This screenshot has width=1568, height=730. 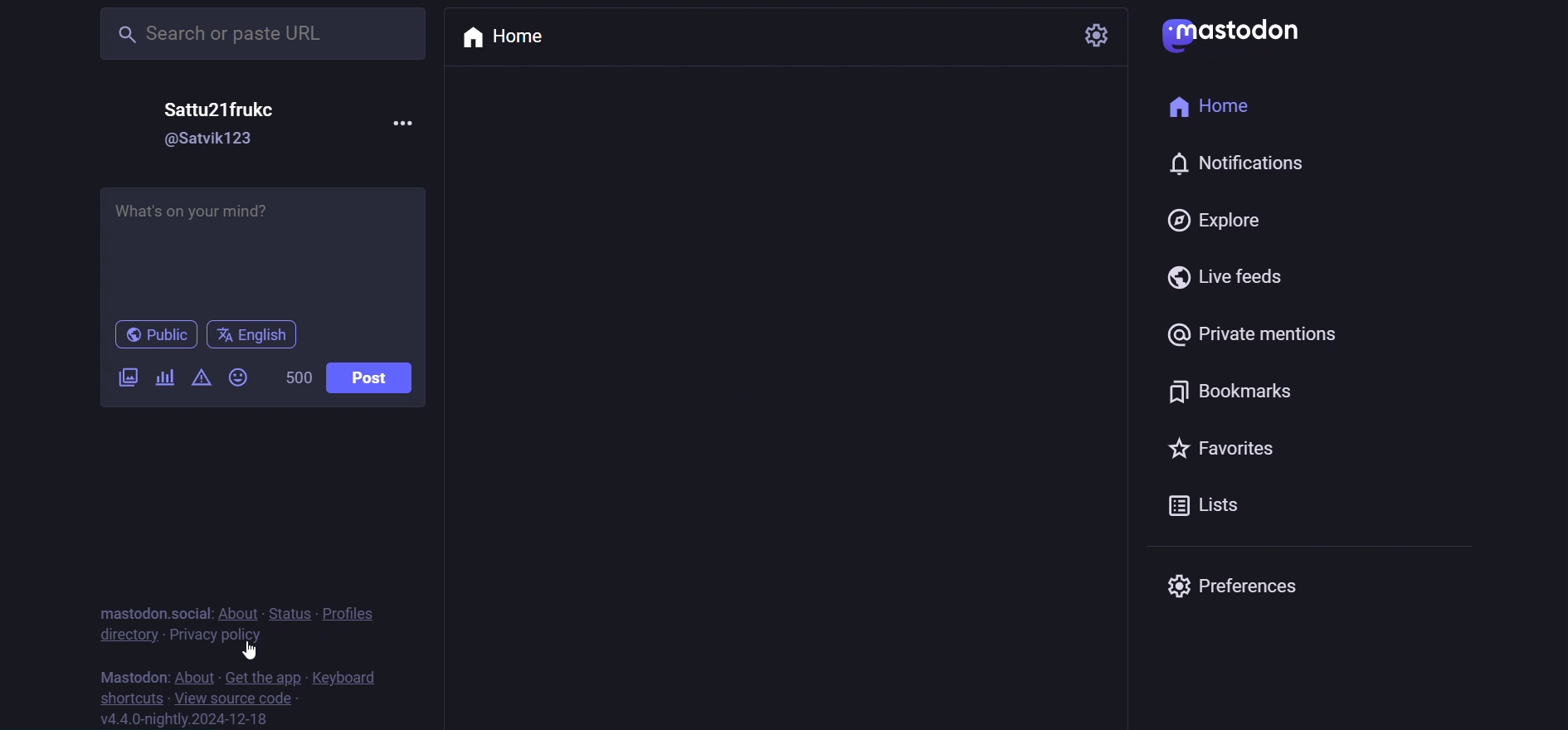 What do you see at coordinates (298, 379) in the screenshot?
I see `word limit` at bounding box center [298, 379].